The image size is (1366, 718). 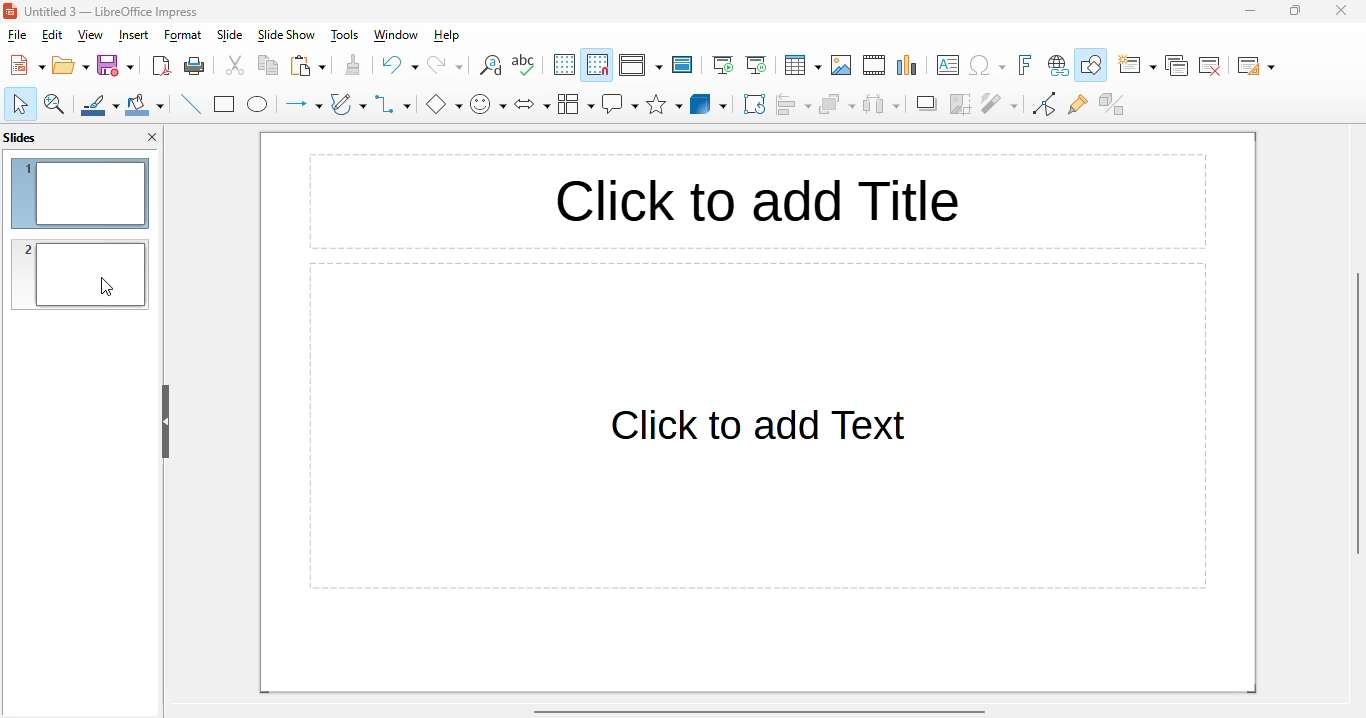 I want to click on click to add title, so click(x=758, y=201).